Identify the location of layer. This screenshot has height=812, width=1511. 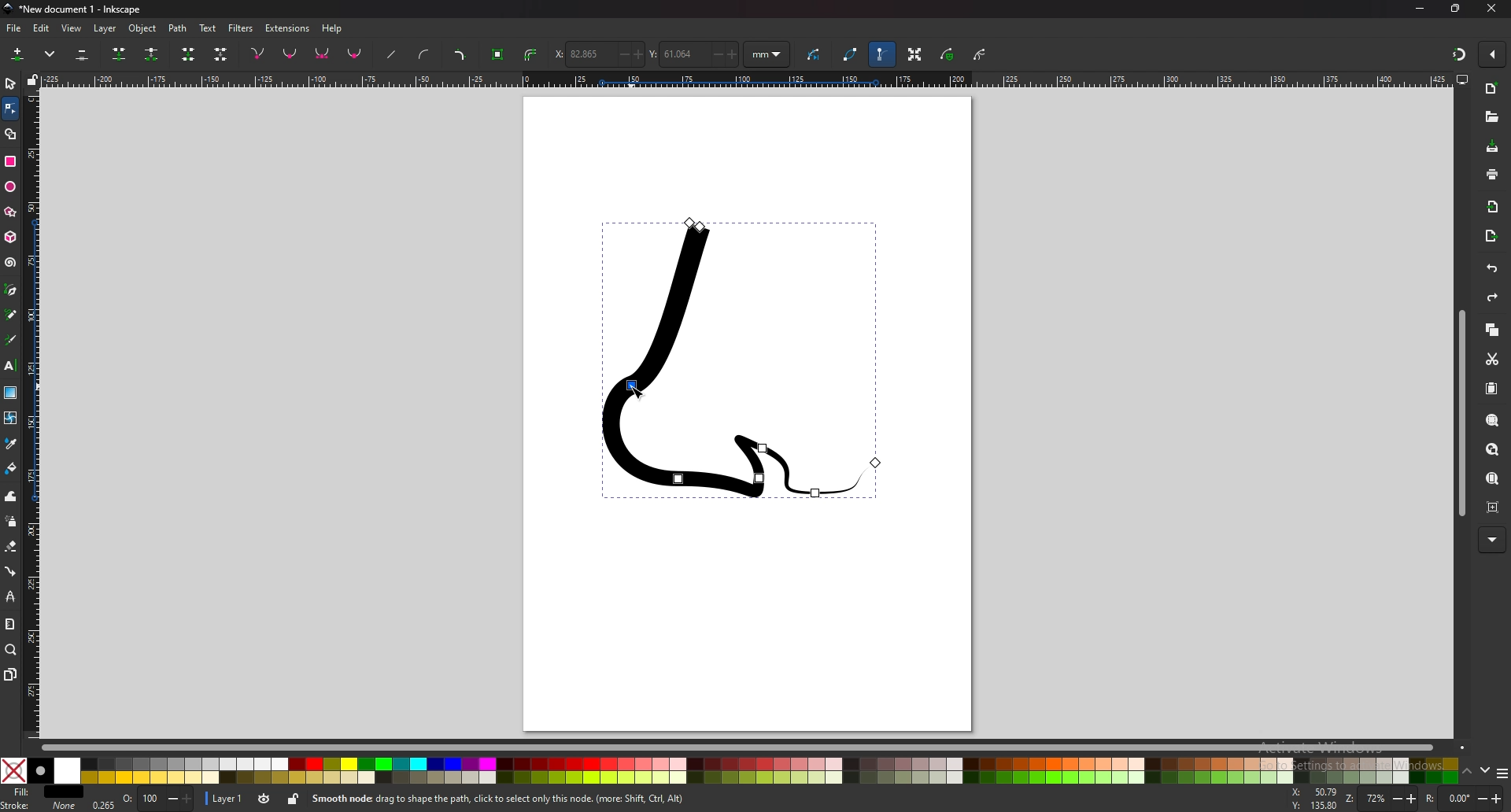
(225, 797).